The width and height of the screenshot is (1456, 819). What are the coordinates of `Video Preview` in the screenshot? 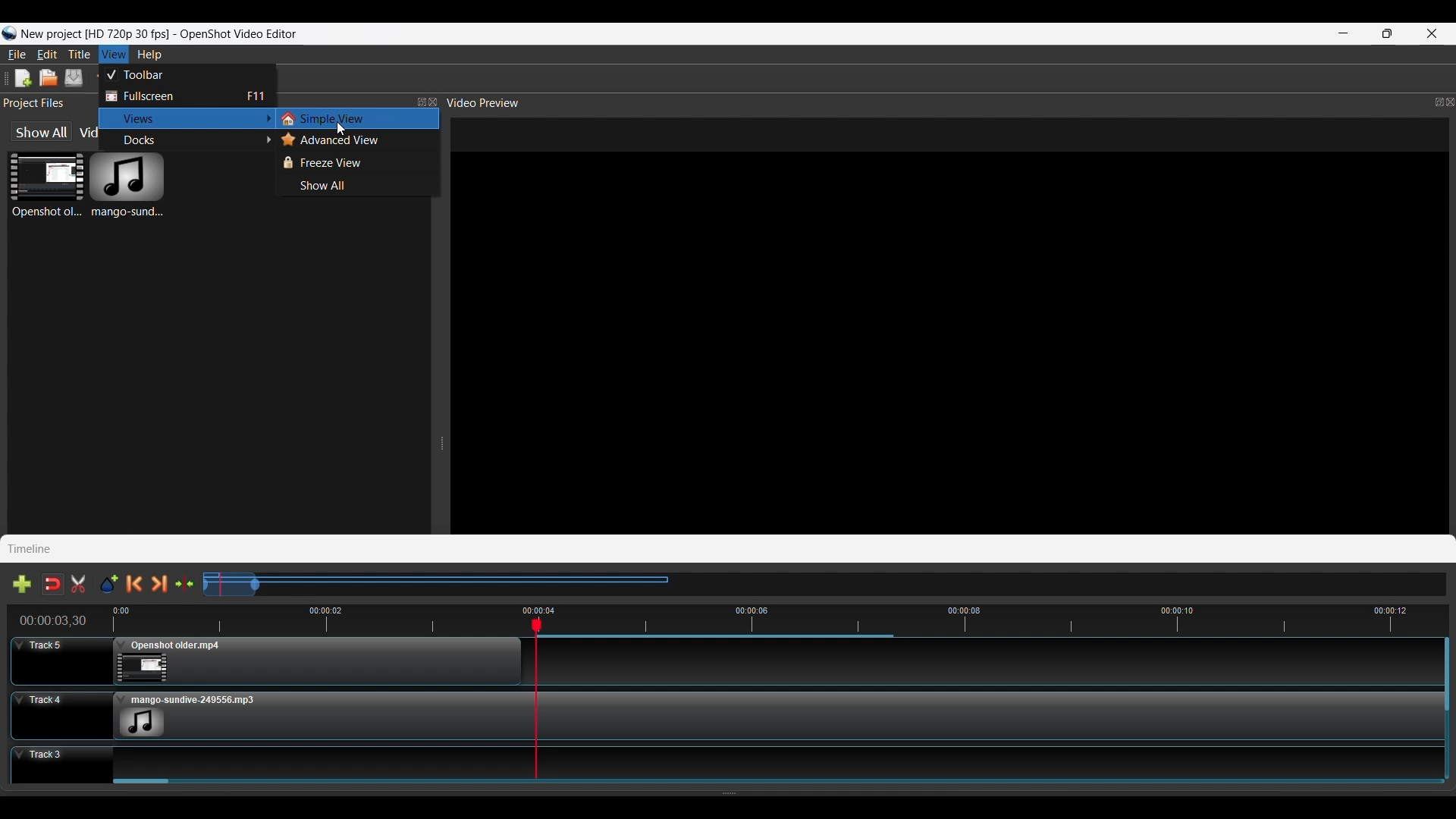 It's located at (483, 102).